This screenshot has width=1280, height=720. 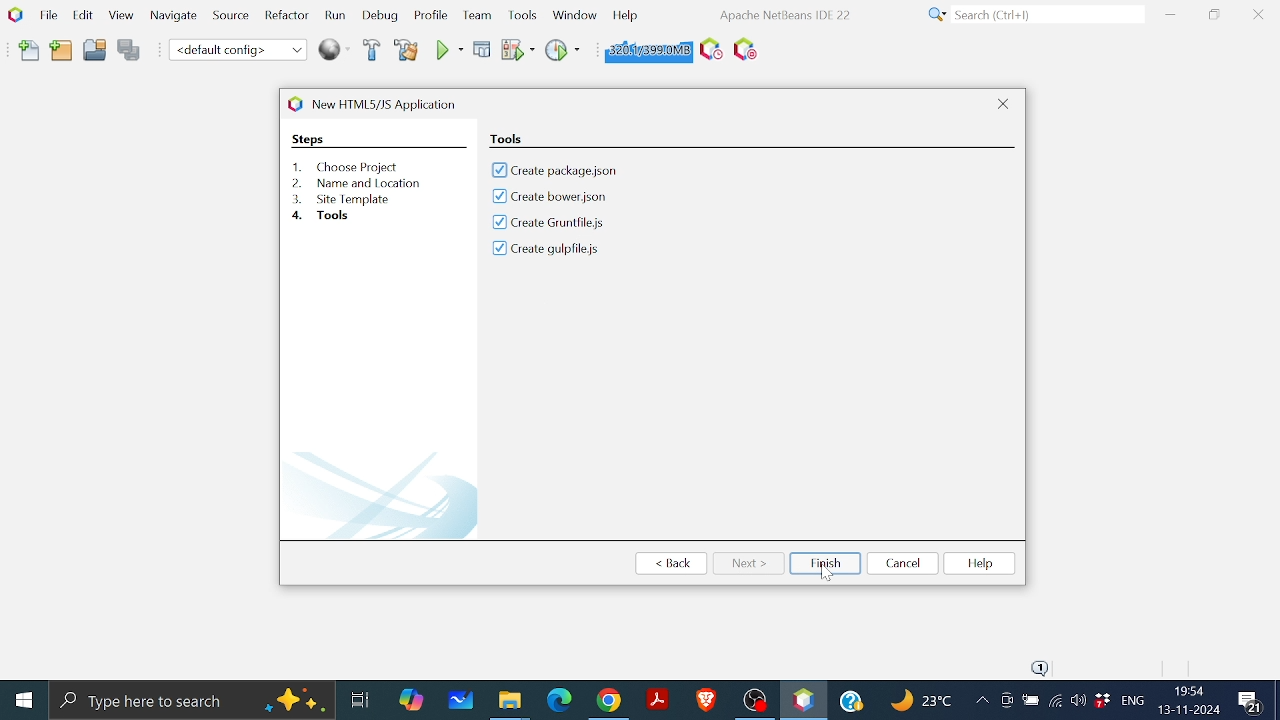 I want to click on cursor, so click(x=826, y=573).